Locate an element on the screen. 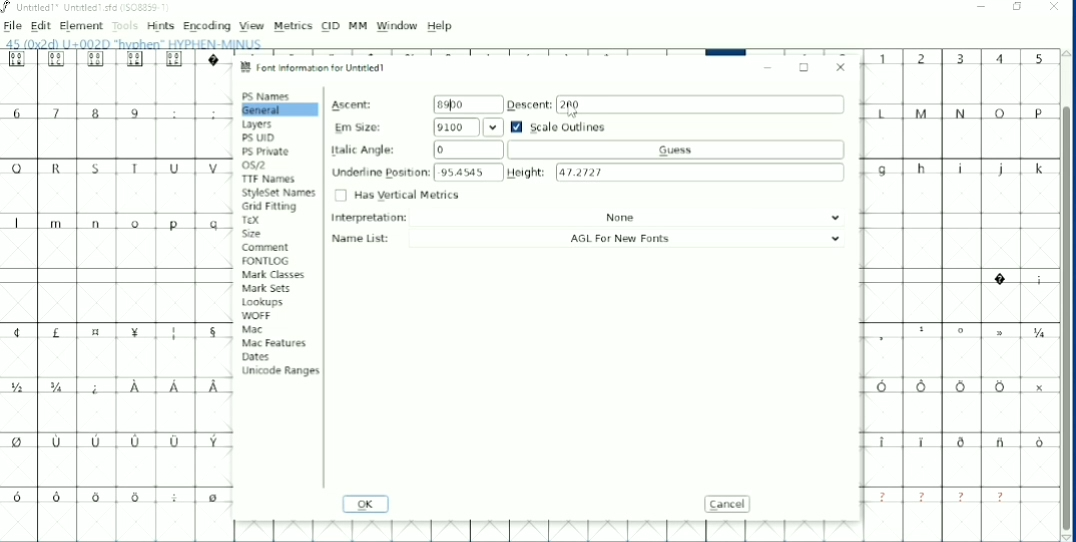 The image size is (1076, 542). Help is located at coordinates (441, 26).